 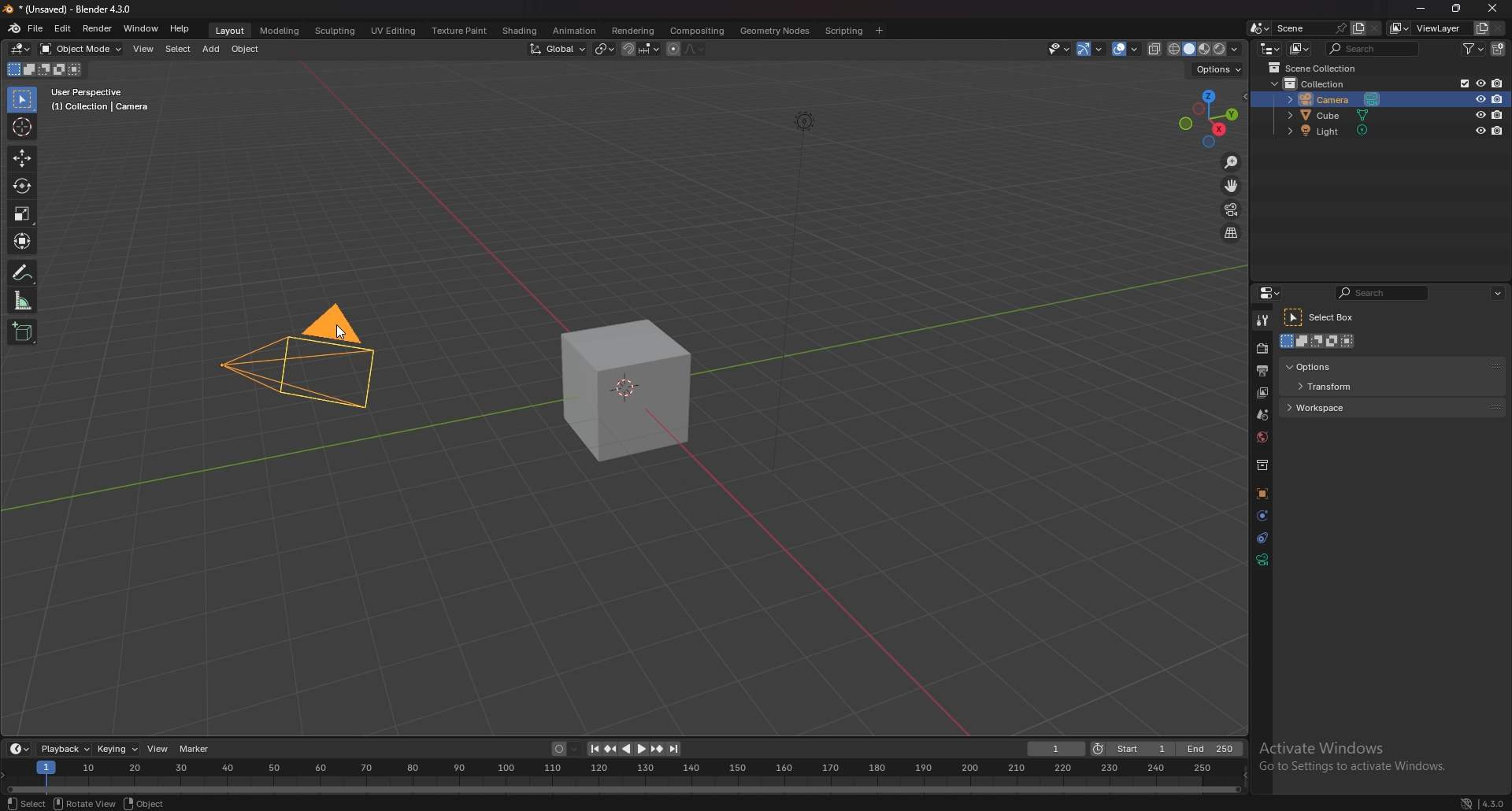 I want to click on overlays, so click(x=1127, y=50).